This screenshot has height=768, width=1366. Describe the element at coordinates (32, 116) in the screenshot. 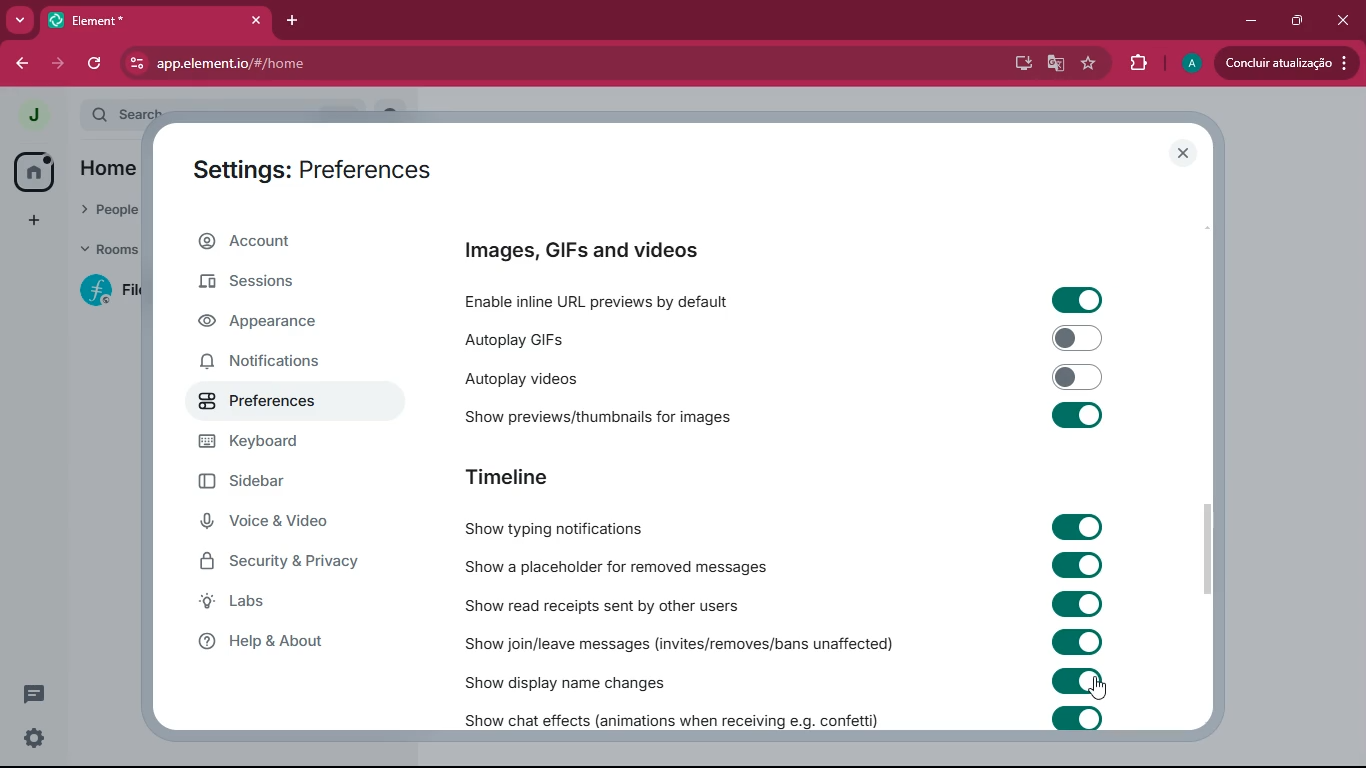

I see `profile picture` at that location.